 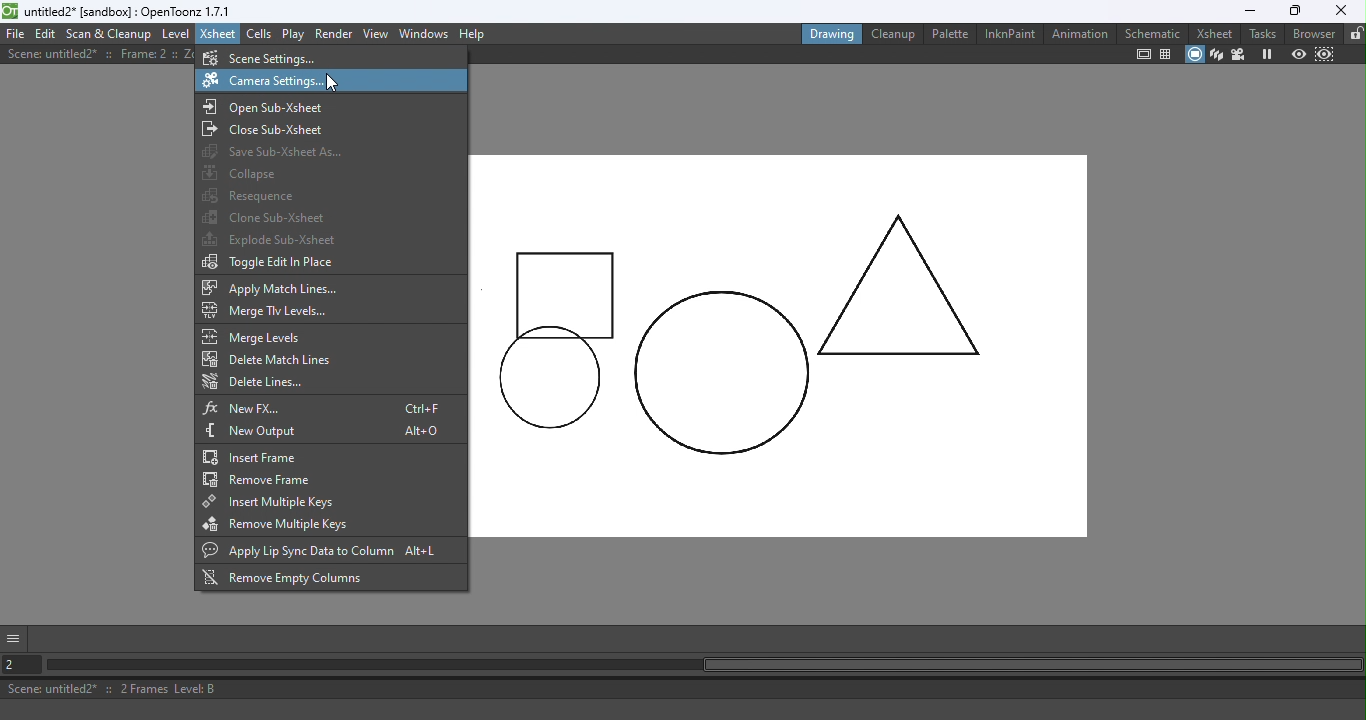 I want to click on Horizontal scroll bar, so click(x=704, y=666).